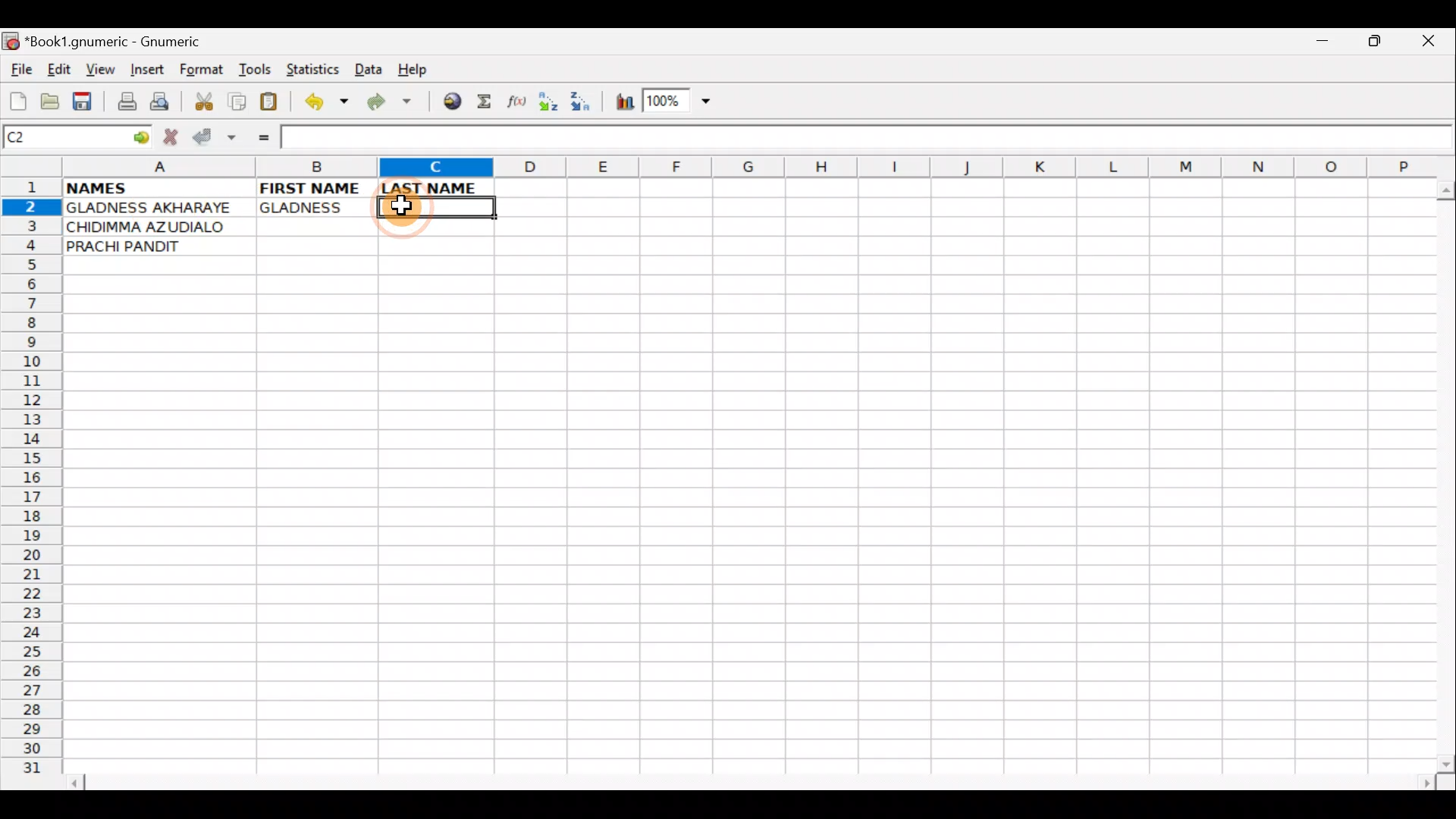 The image size is (1456, 819). Describe the element at coordinates (86, 102) in the screenshot. I see `Save current workbook` at that location.